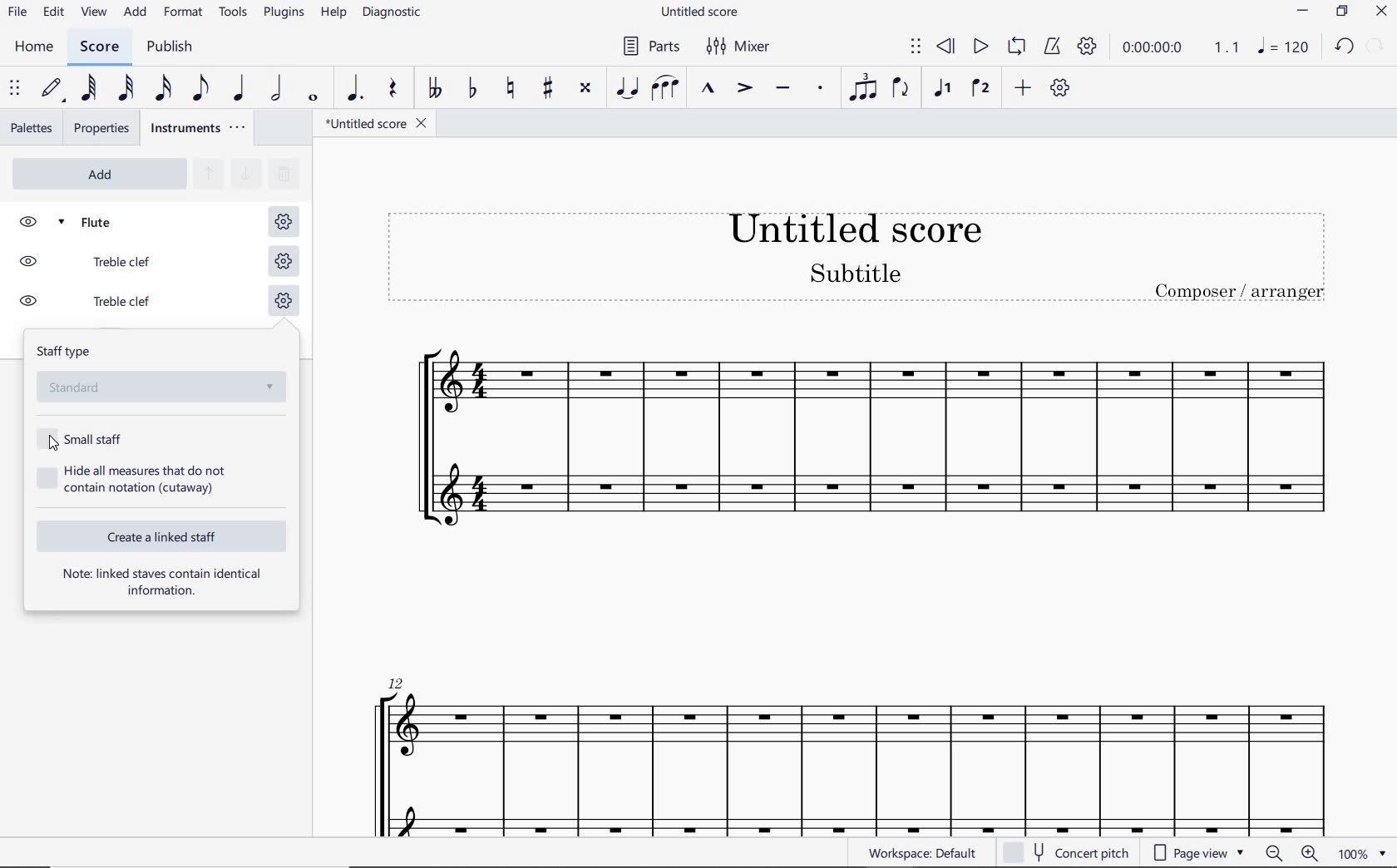 Image resolution: width=1397 pixels, height=868 pixels. Describe the element at coordinates (1178, 47) in the screenshot. I see `PLAY TIME` at that location.